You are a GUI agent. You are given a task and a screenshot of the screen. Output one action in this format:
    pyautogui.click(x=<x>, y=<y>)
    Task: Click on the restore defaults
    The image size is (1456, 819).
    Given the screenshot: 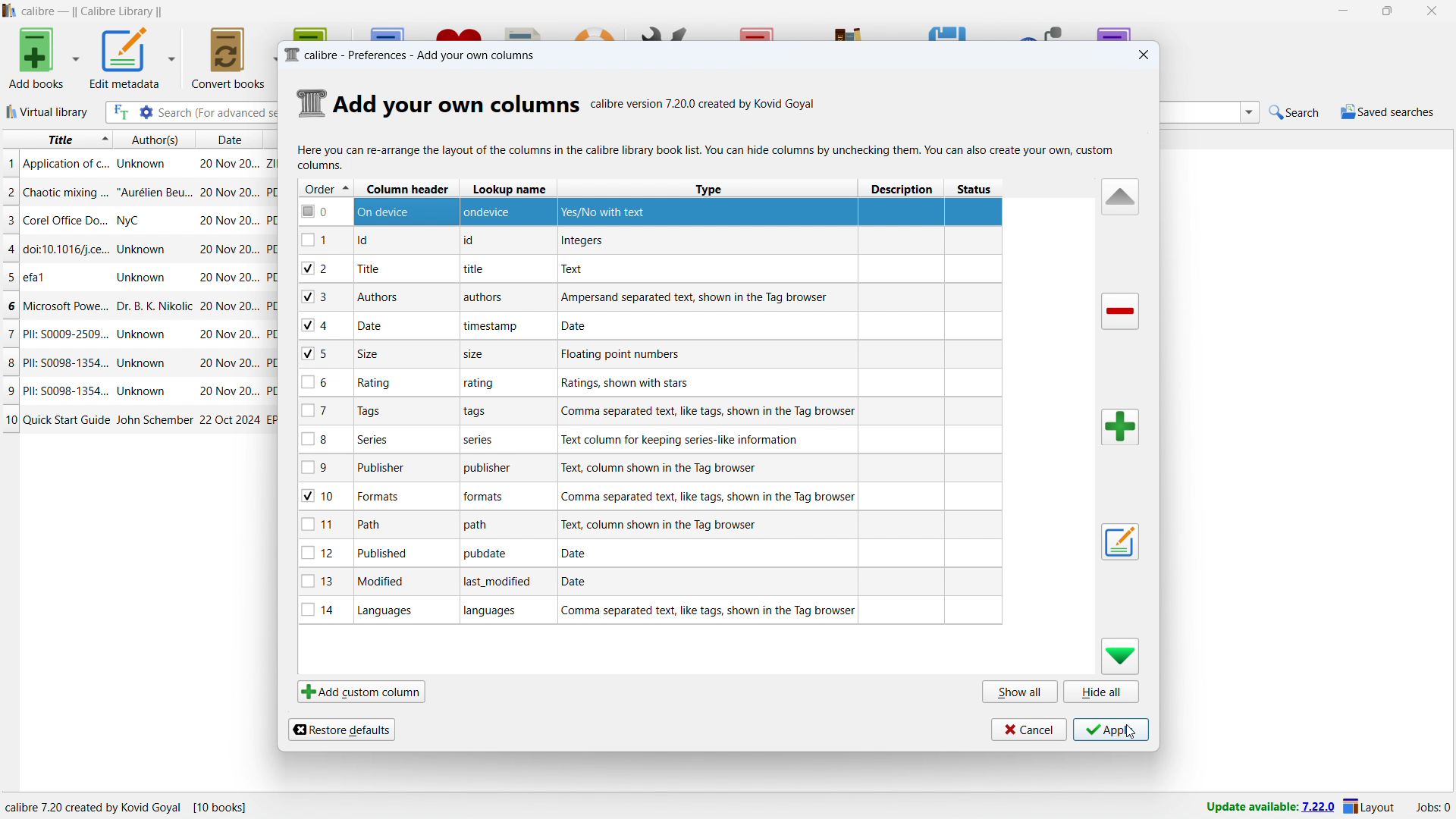 What is the action you would take?
    pyautogui.click(x=341, y=728)
    